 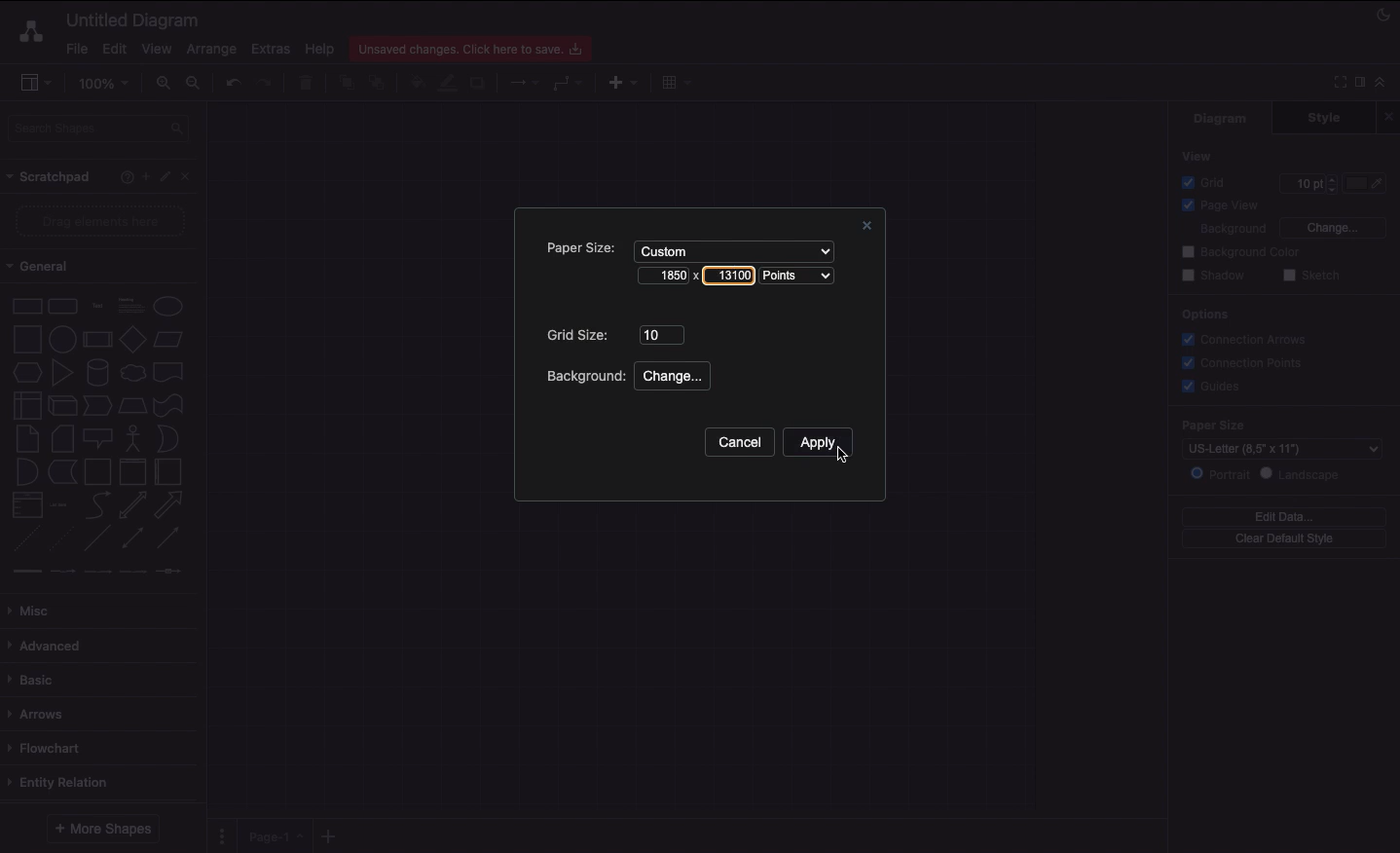 I want to click on To back, so click(x=380, y=82).